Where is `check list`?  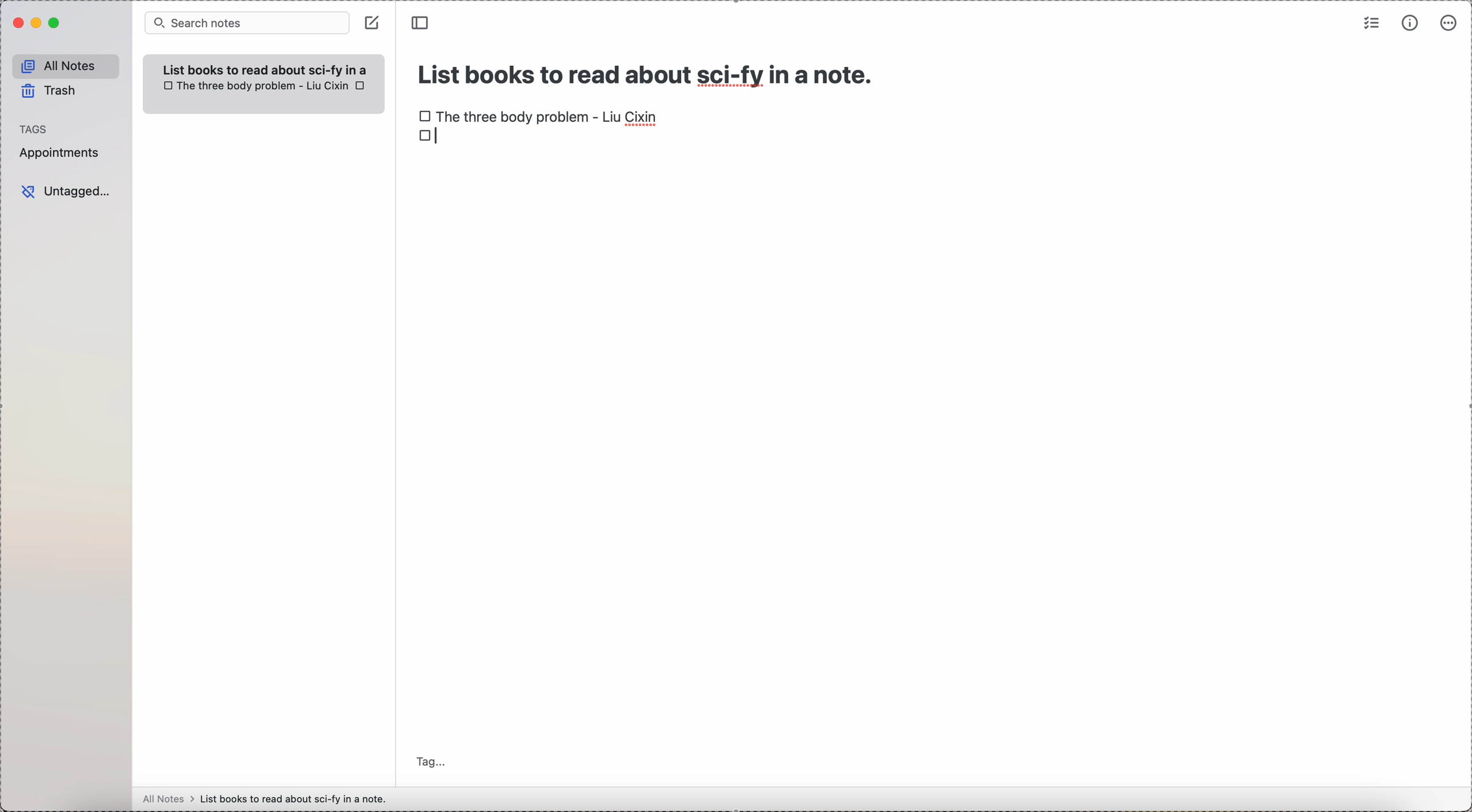 check list is located at coordinates (1371, 23).